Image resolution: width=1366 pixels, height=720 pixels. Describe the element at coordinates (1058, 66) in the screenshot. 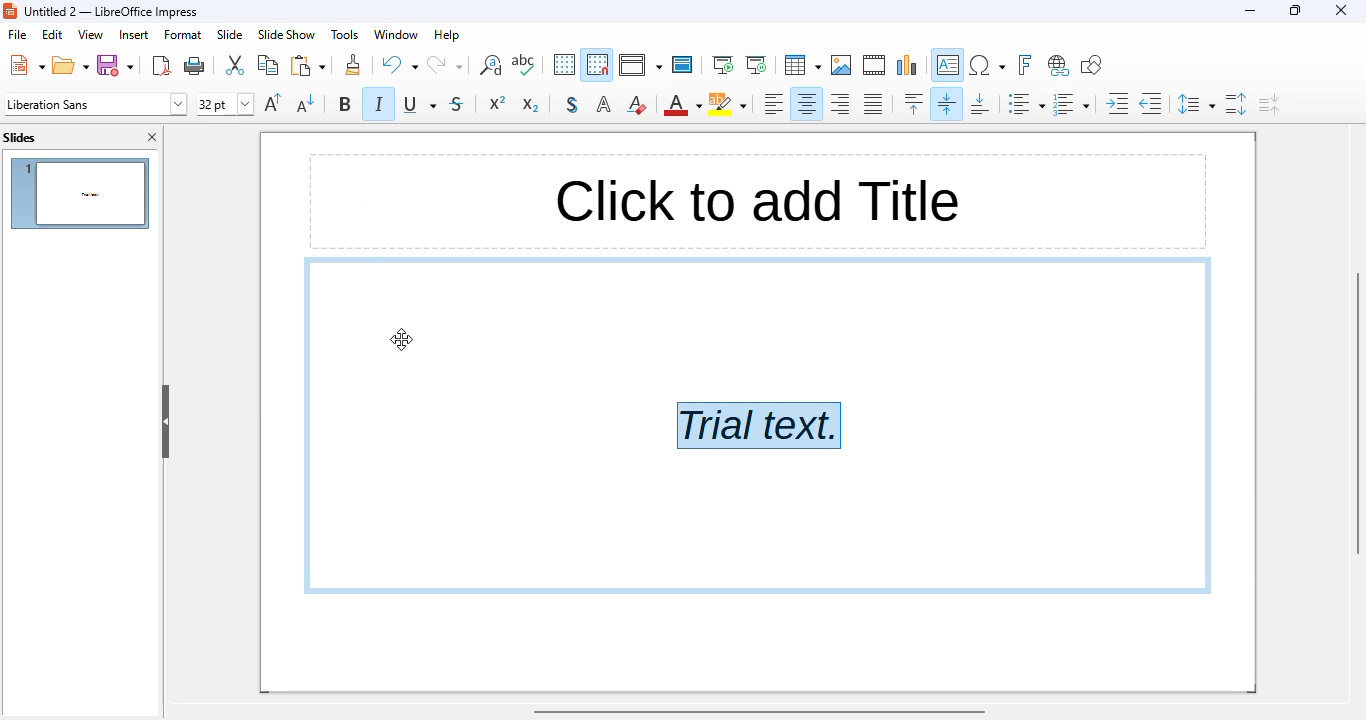

I see `insert hyperlink` at that location.